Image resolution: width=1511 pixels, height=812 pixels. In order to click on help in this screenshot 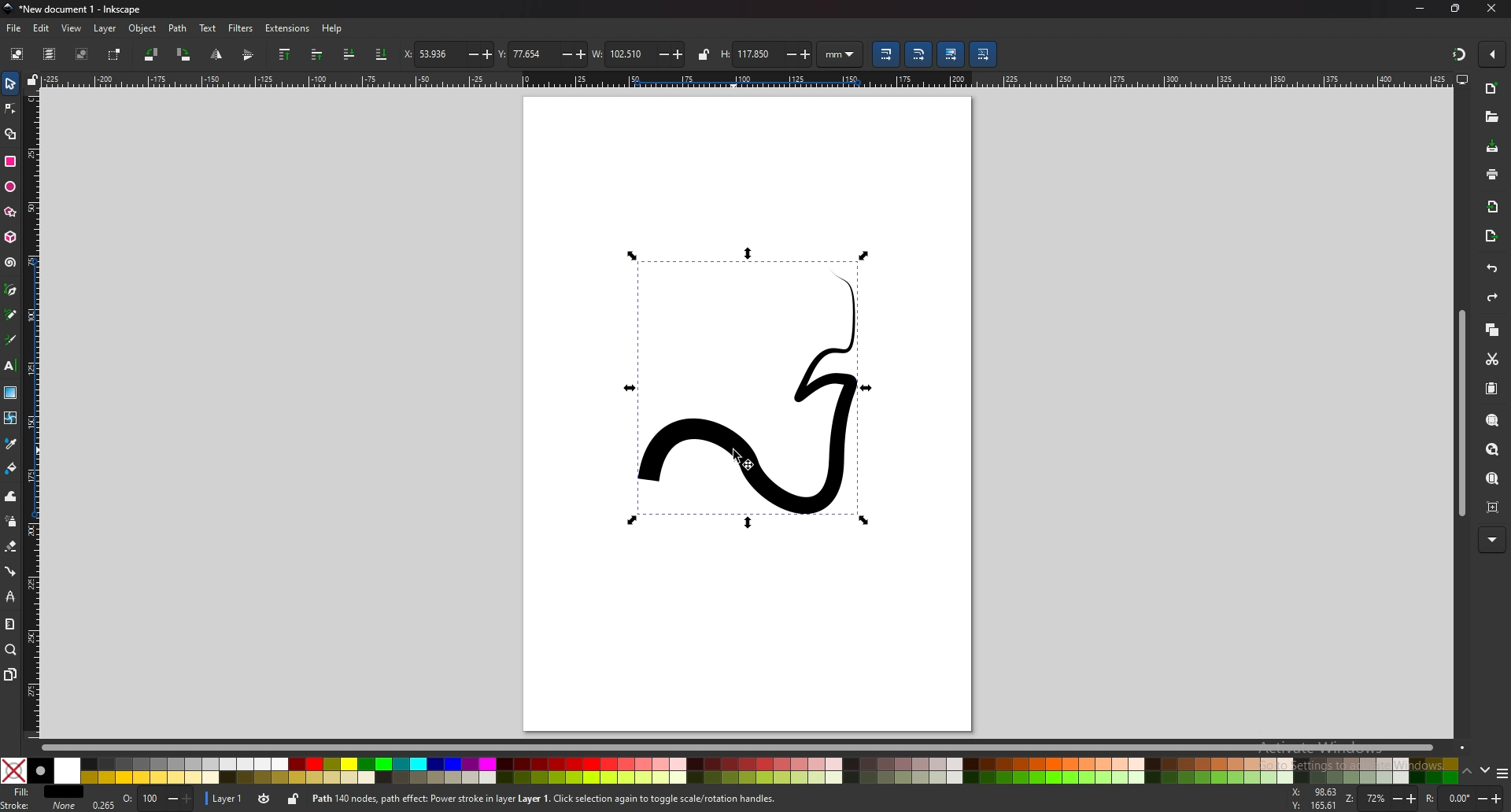, I will do `click(332, 30)`.